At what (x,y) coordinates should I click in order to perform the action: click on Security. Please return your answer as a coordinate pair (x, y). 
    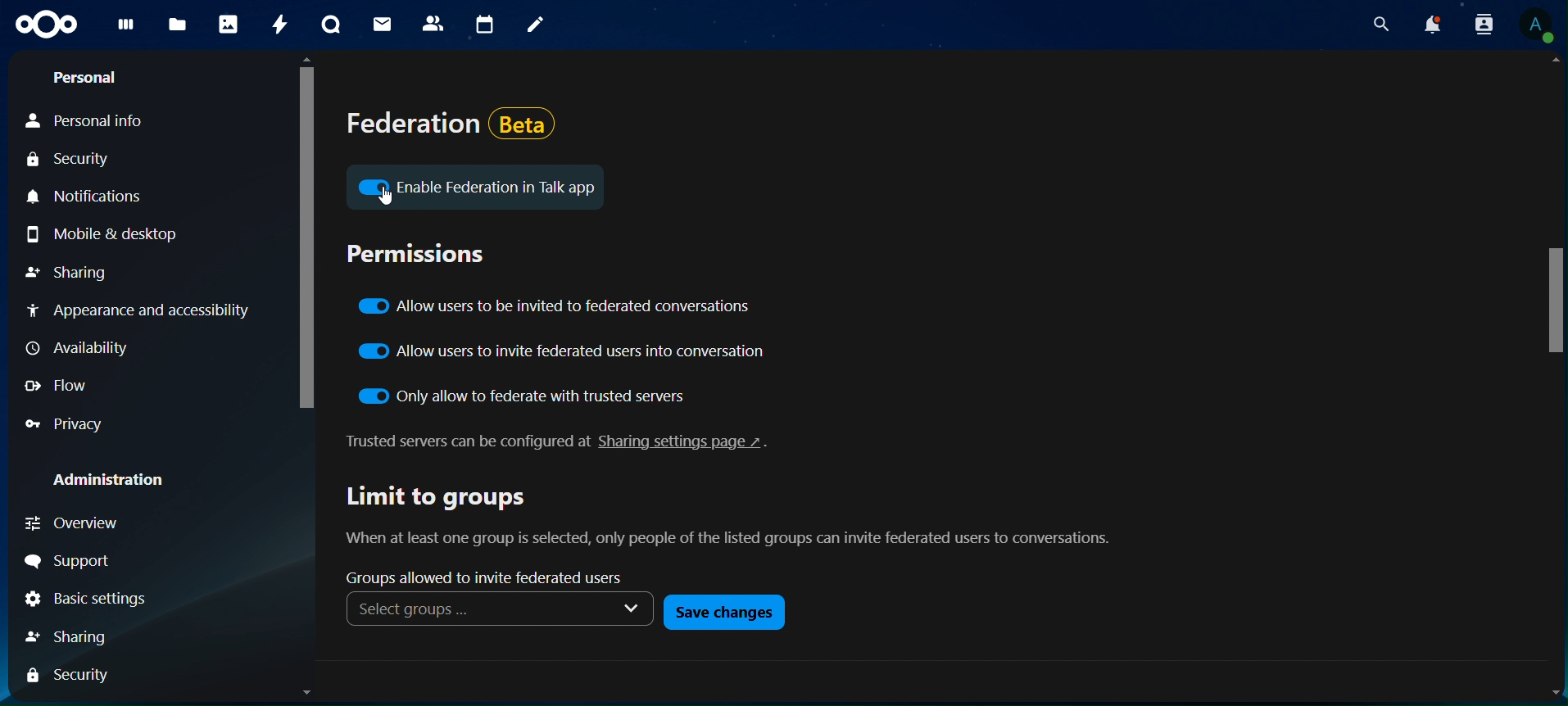
    Looking at the image, I should click on (69, 678).